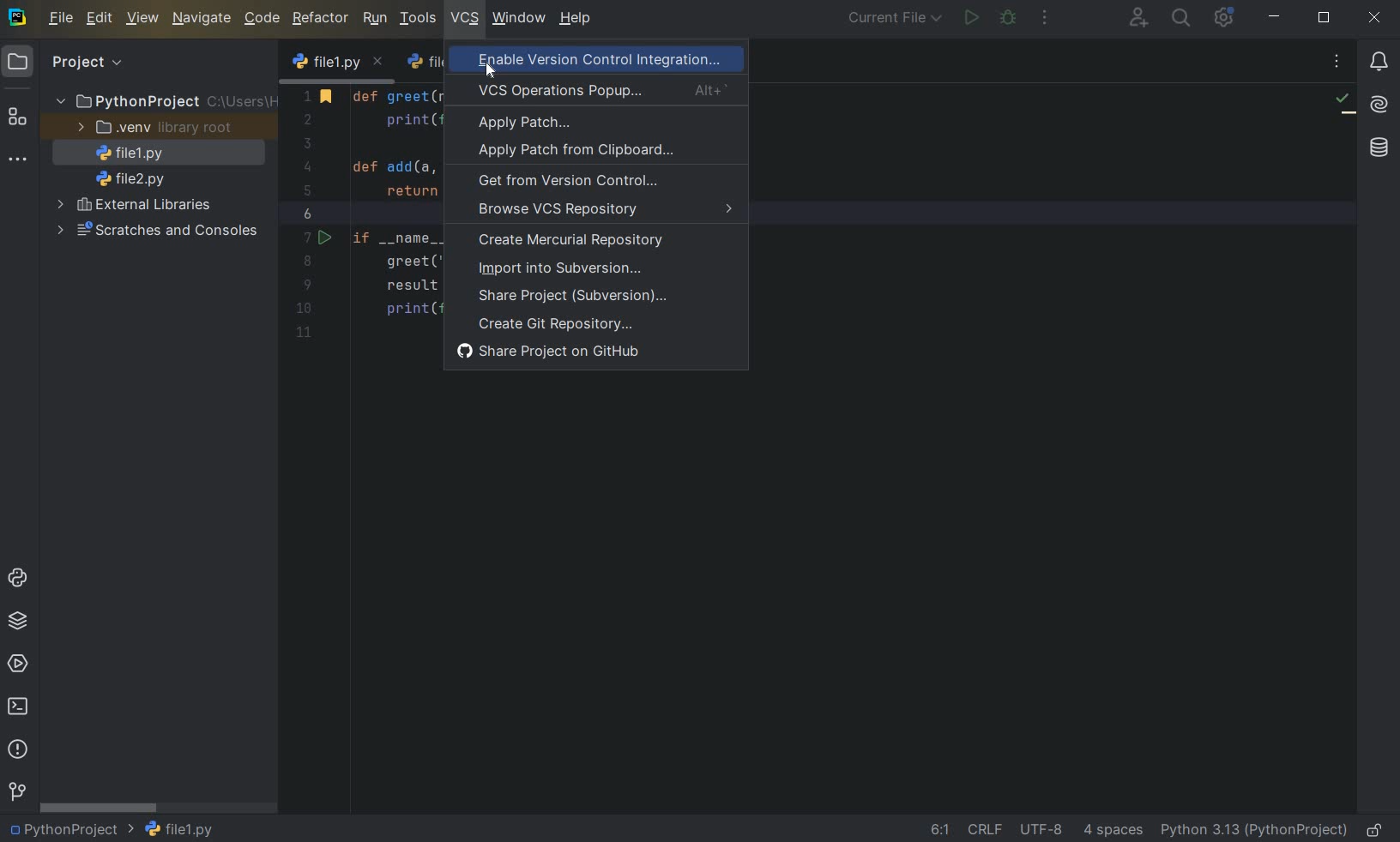 The image size is (1400, 842). I want to click on AI Assistant, so click(1380, 106).